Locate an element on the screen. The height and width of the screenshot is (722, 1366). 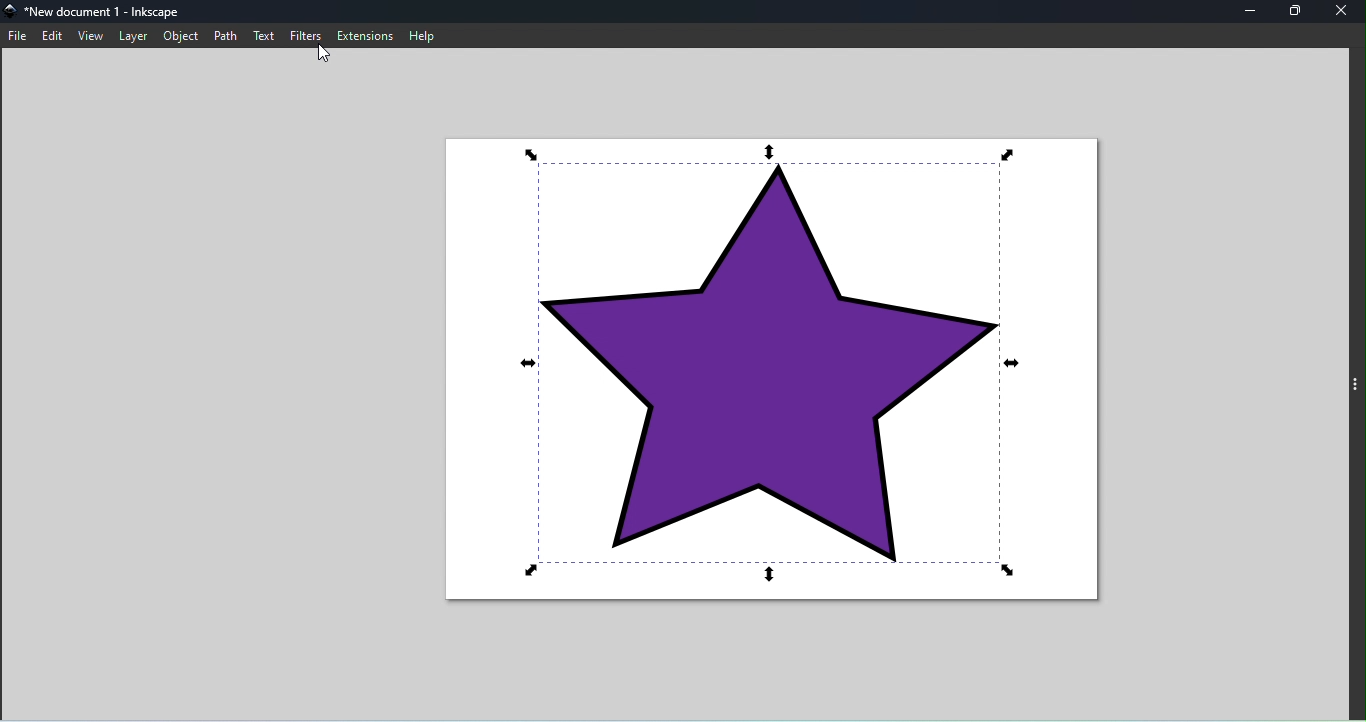
extensions is located at coordinates (364, 34).